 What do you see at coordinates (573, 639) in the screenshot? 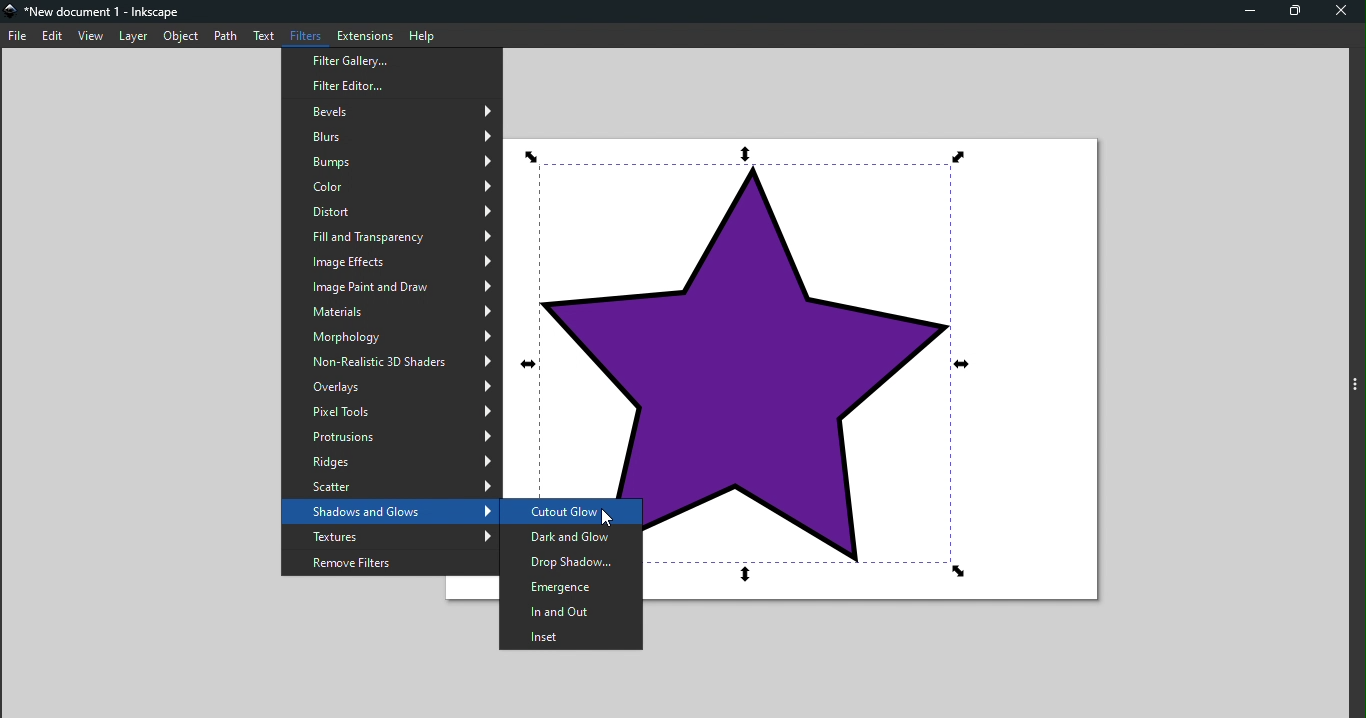
I see `Inset` at bounding box center [573, 639].